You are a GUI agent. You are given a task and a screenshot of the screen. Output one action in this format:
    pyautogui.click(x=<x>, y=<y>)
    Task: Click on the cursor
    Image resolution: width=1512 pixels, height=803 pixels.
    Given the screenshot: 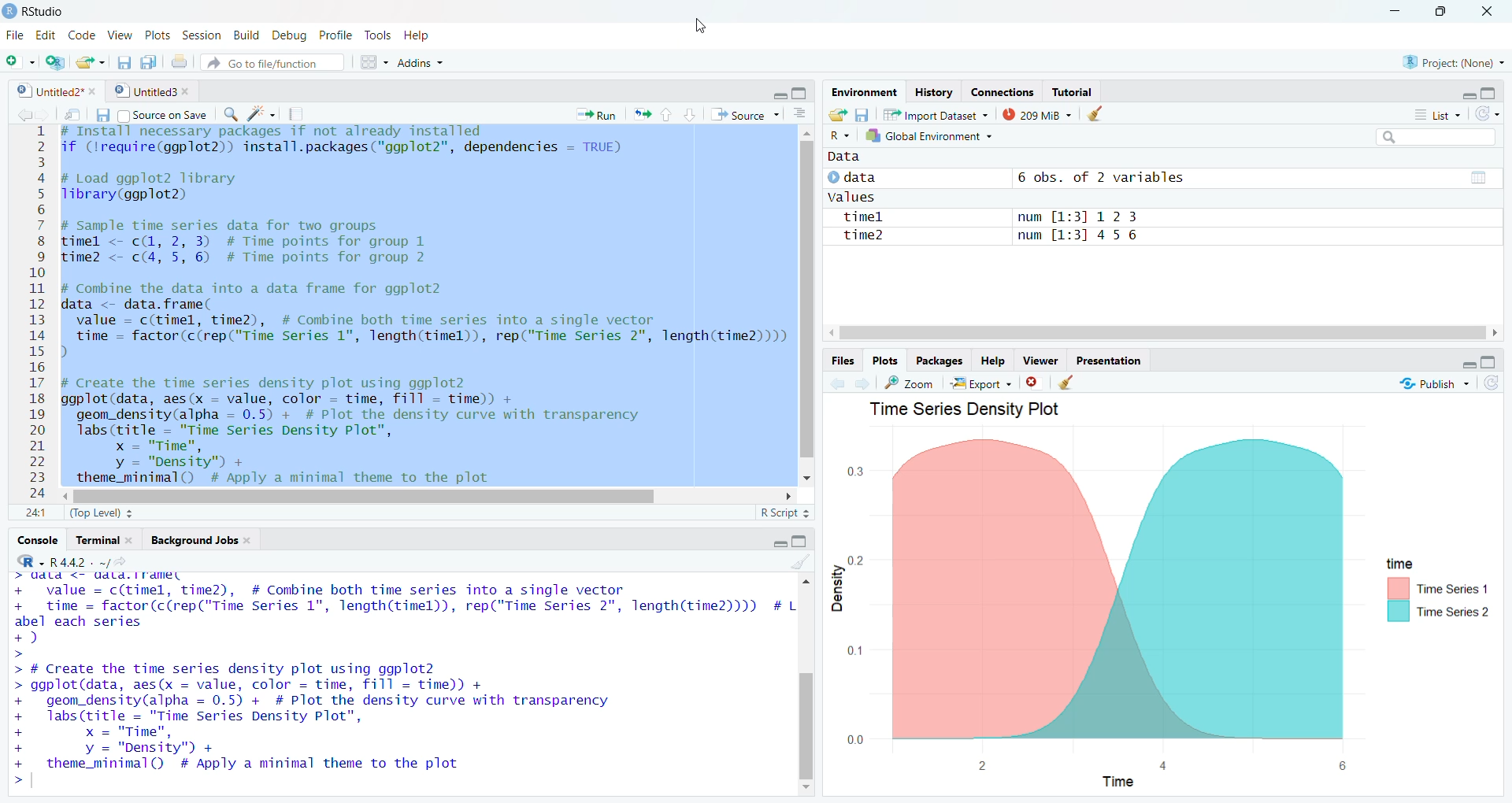 What is the action you would take?
    pyautogui.click(x=699, y=24)
    